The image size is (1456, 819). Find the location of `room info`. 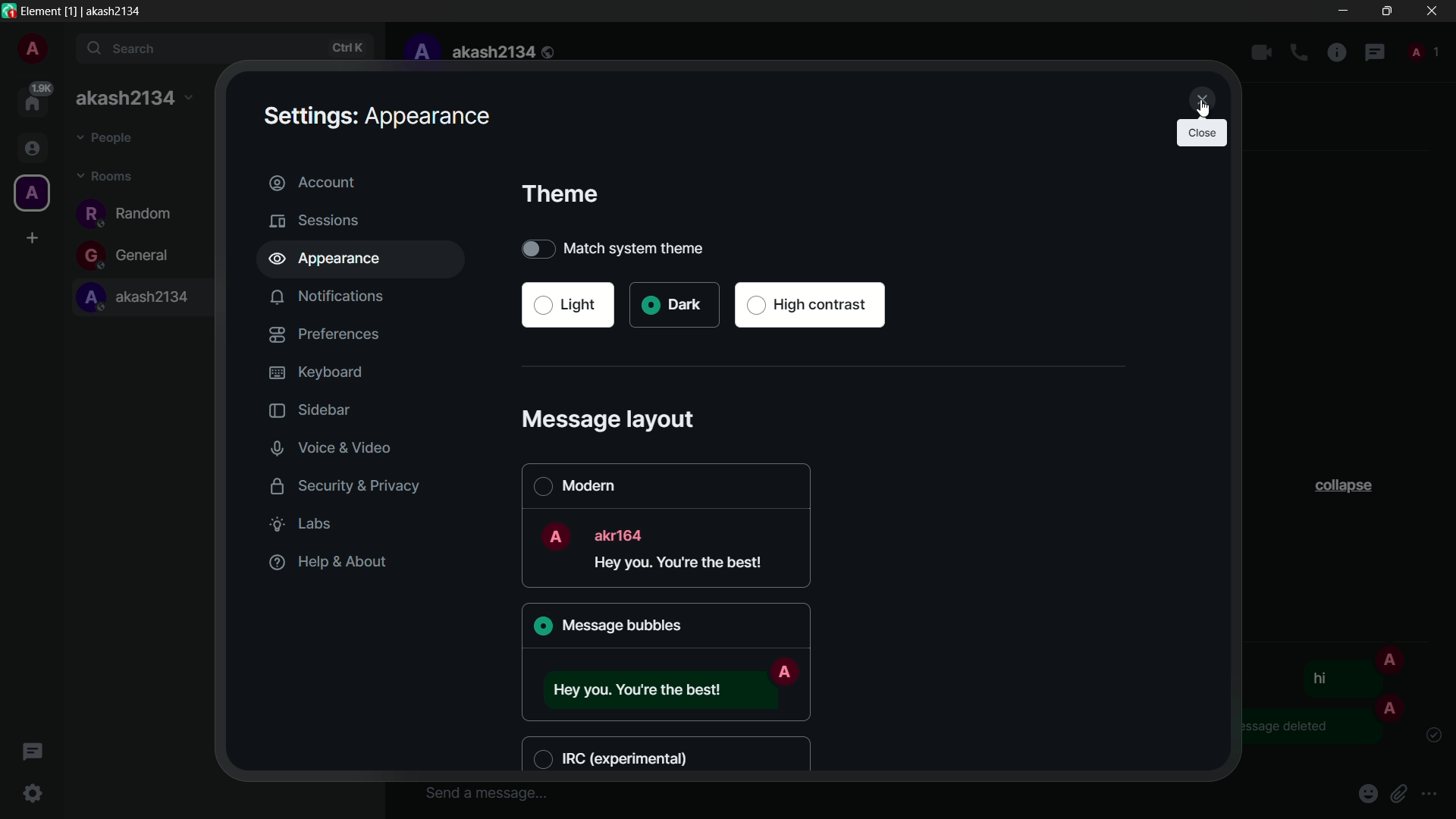

room info is located at coordinates (1337, 54).